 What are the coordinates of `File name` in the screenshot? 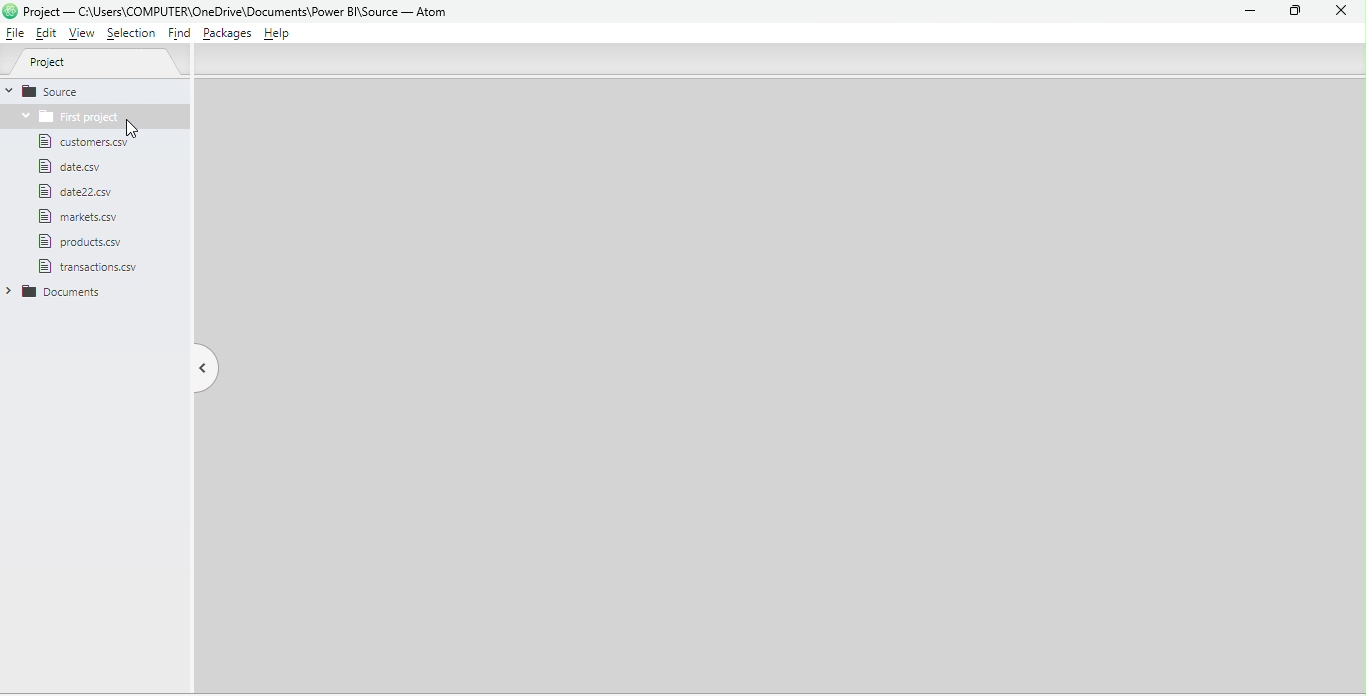 It's located at (243, 12).